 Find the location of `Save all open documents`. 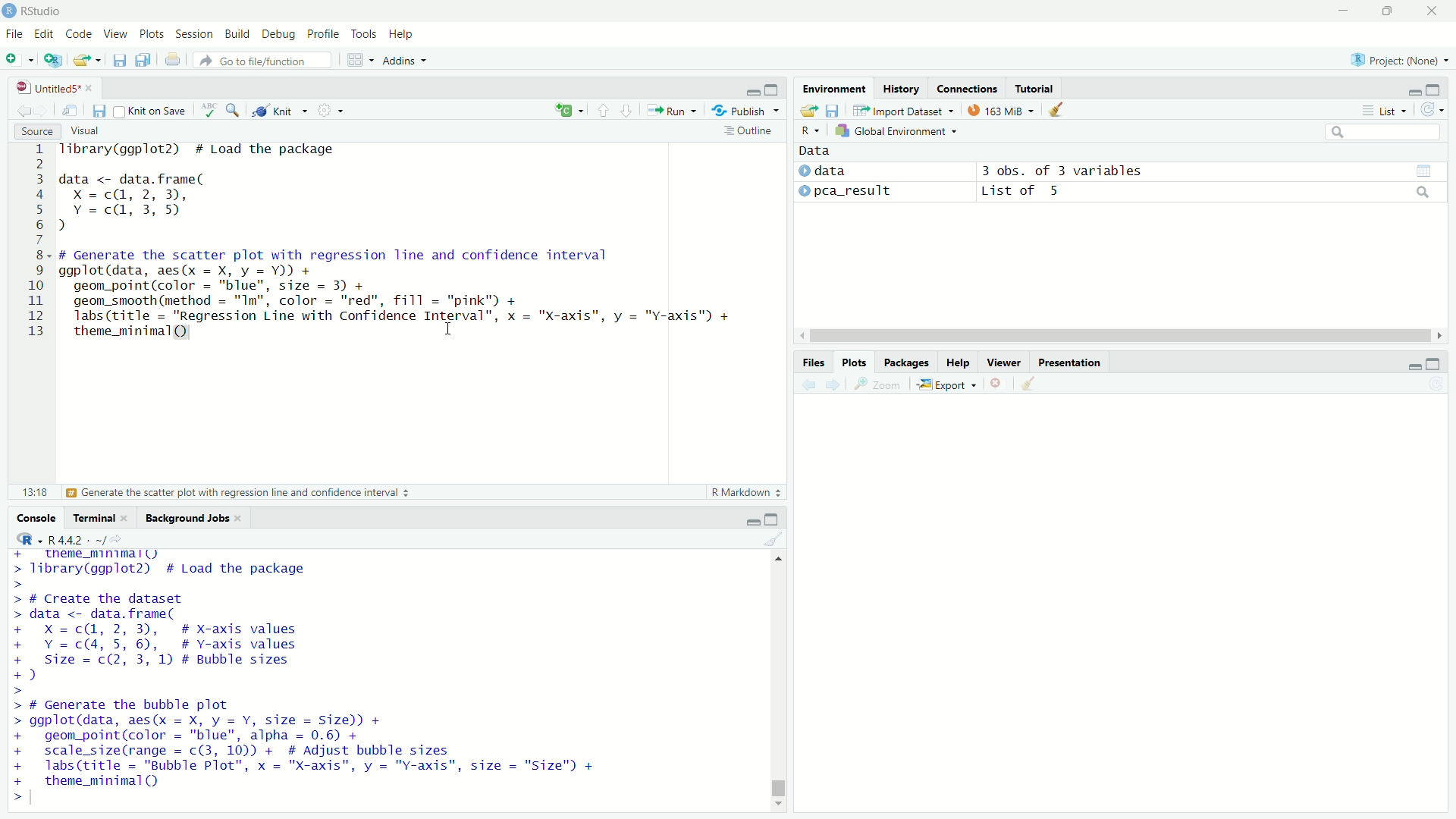

Save all open documents is located at coordinates (144, 59).